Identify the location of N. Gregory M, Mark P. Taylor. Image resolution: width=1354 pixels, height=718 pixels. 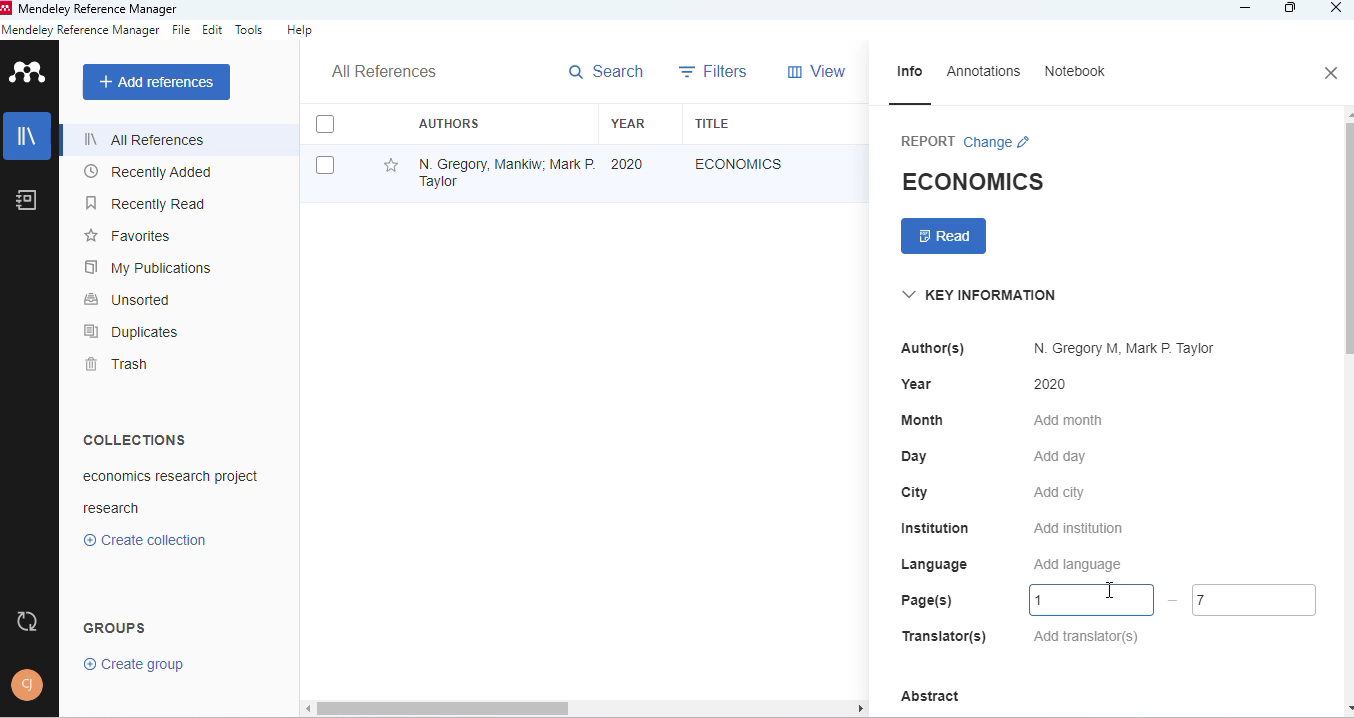
(1126, 348).